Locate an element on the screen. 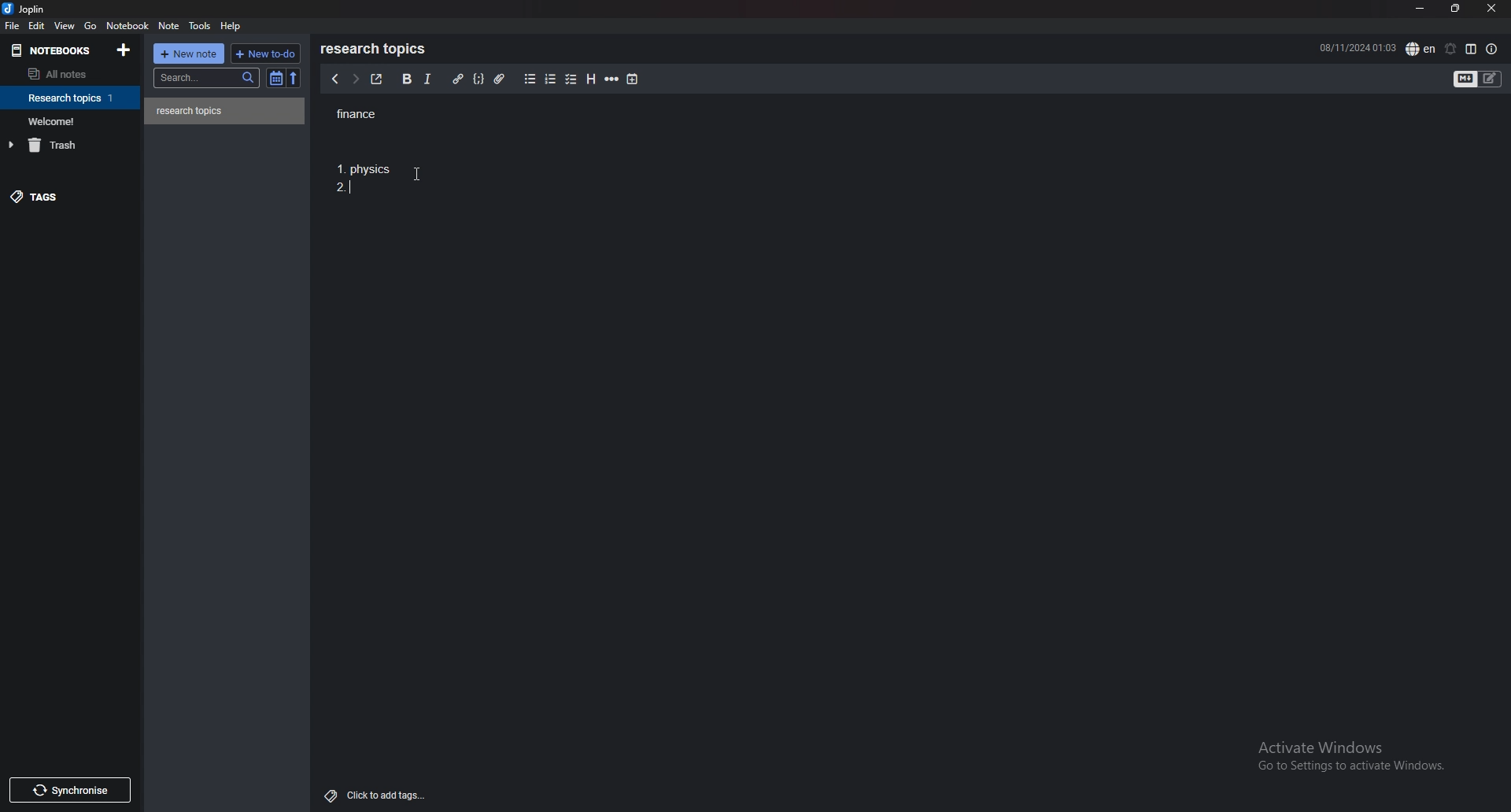  notebook is located at coordinates (72, 120).